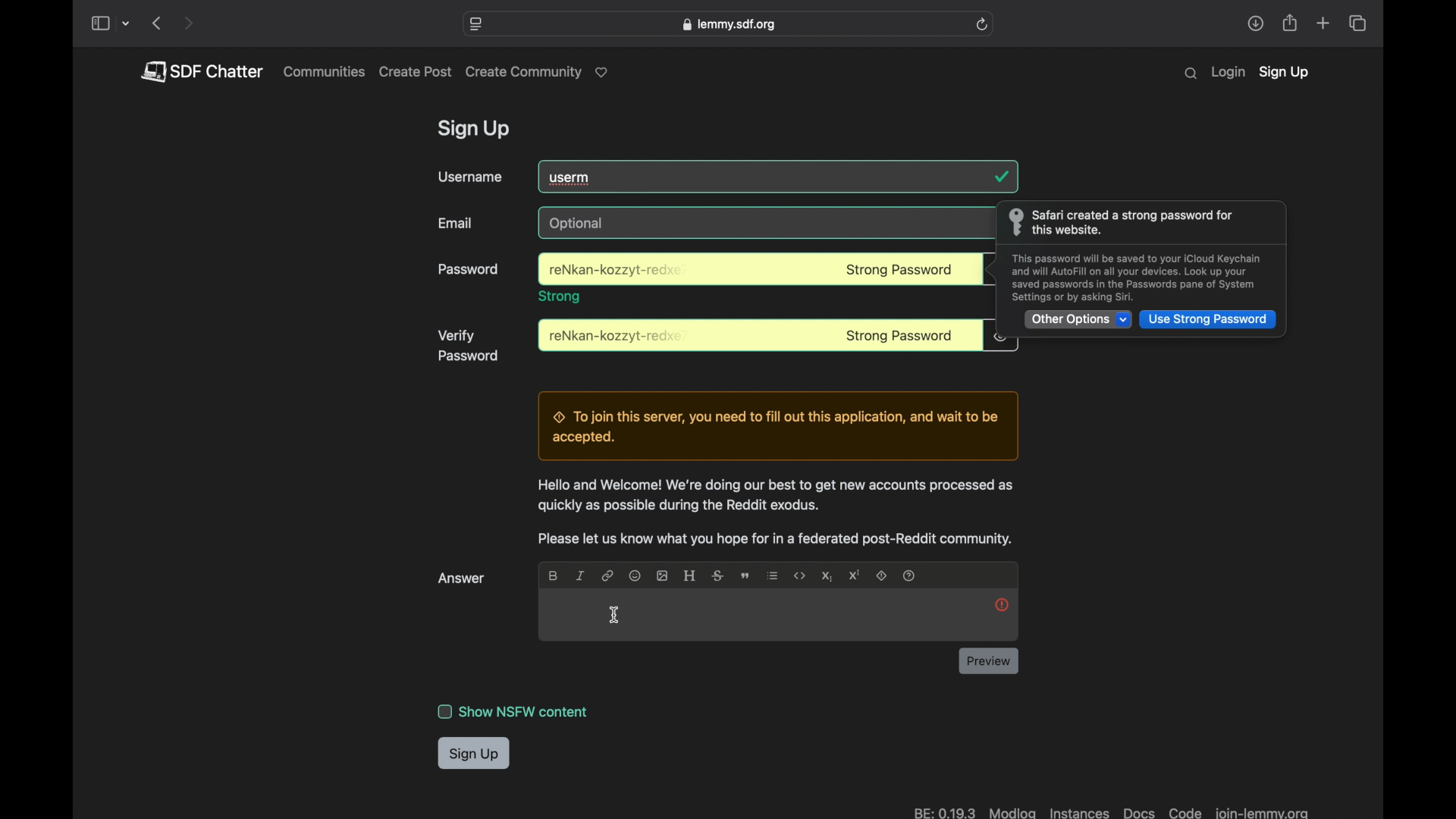 The width and height of the screenshot is (1456, 819). What do you see at coordinates (463, 579) in the screenshot?
I see `answer` at bounding box center [463, 579].